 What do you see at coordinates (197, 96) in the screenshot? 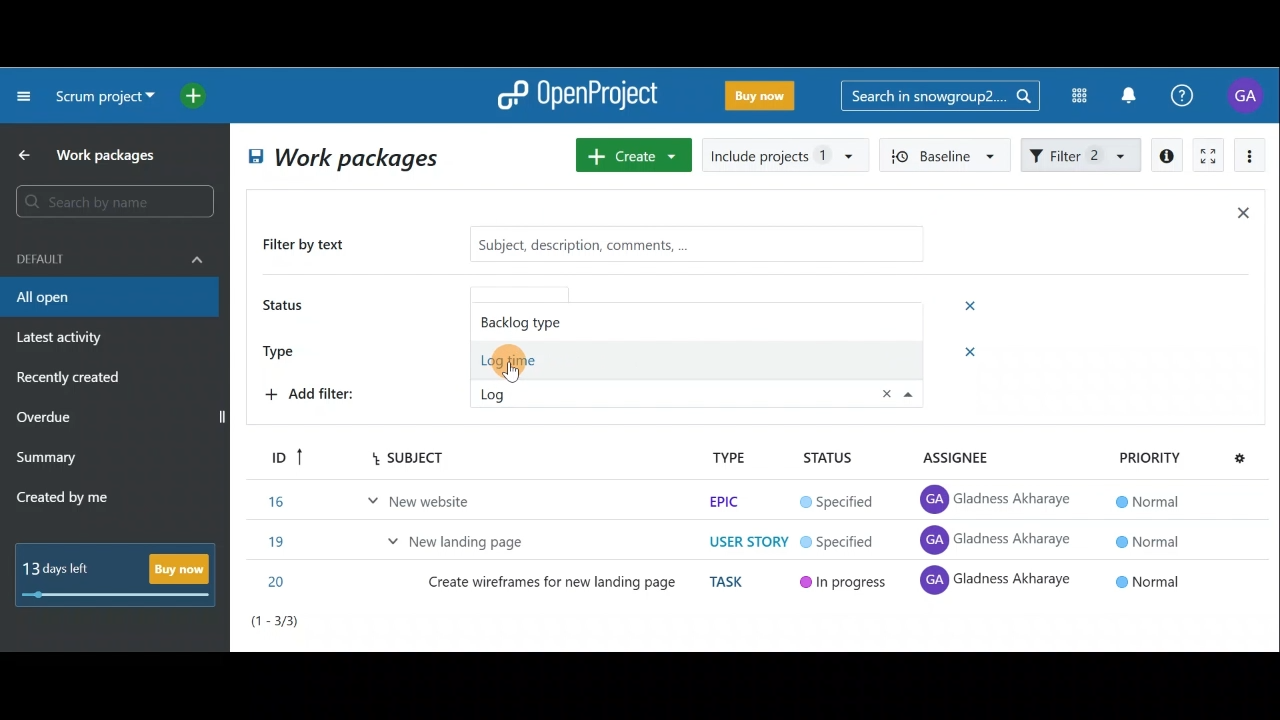
I see `Open quick add menu` at bounding box center [197, 96].